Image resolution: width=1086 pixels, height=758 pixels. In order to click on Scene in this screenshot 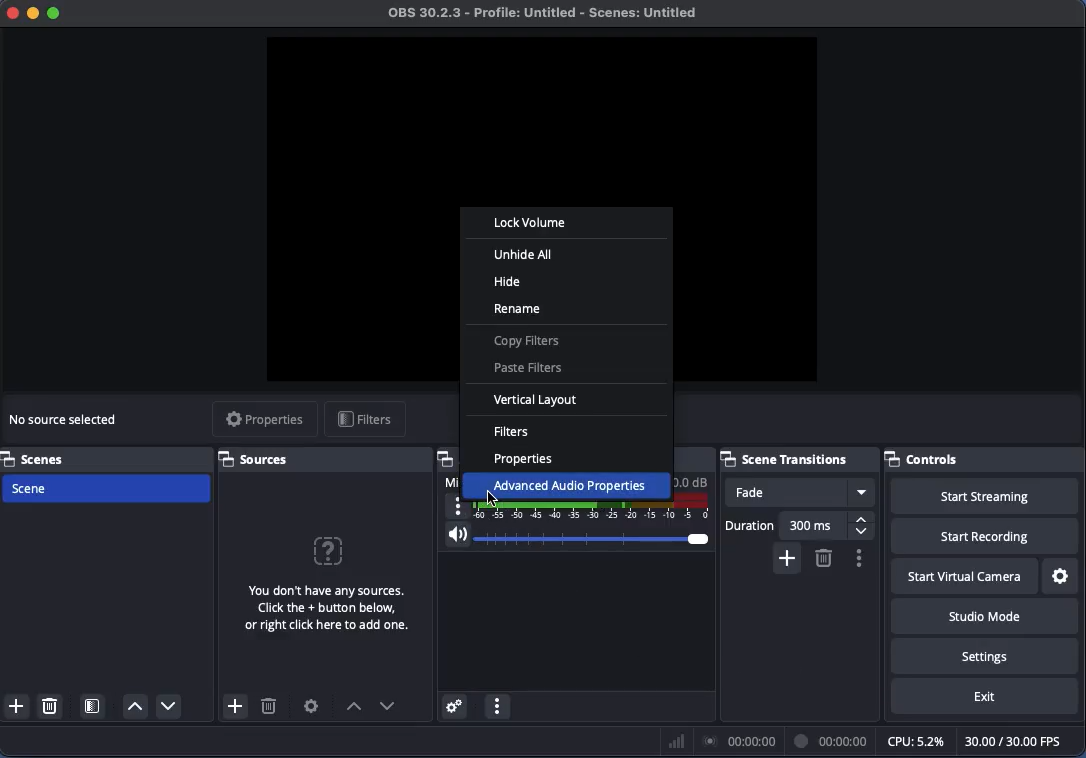, I will do `click(111, 486)`.